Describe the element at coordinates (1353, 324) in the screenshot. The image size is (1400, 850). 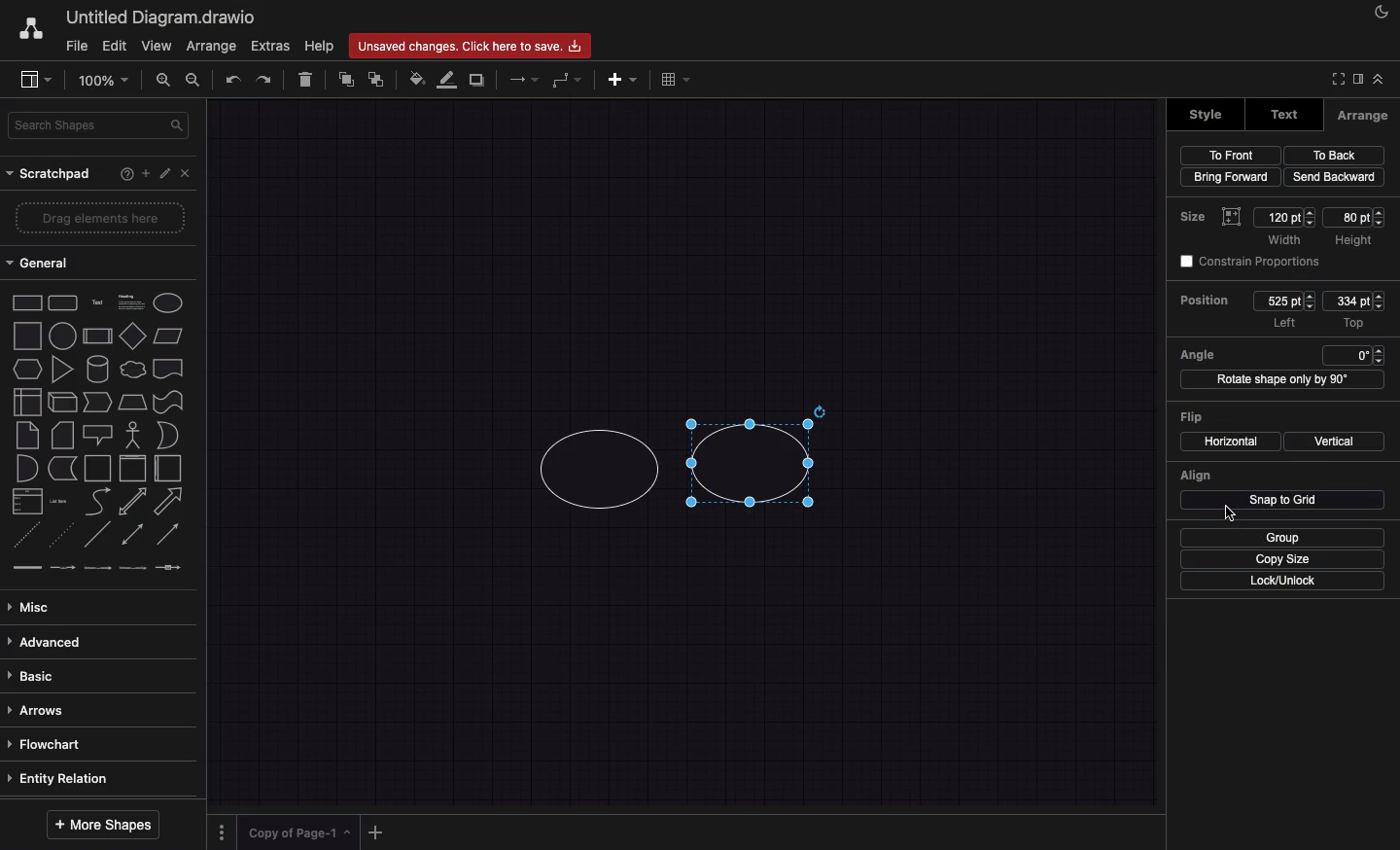
I see `top` at that location.